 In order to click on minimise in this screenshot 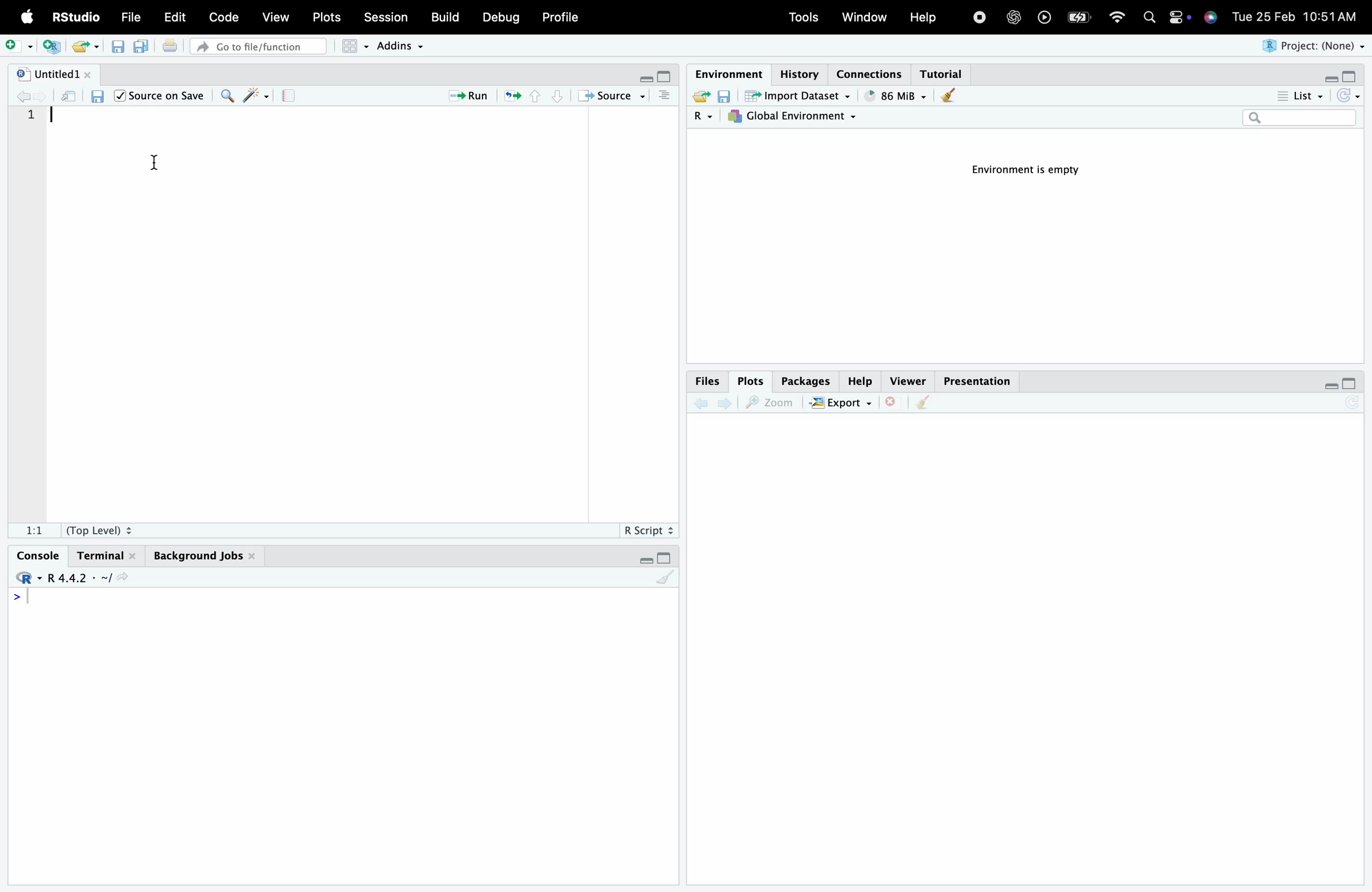, I will do `click(643, 562)`.